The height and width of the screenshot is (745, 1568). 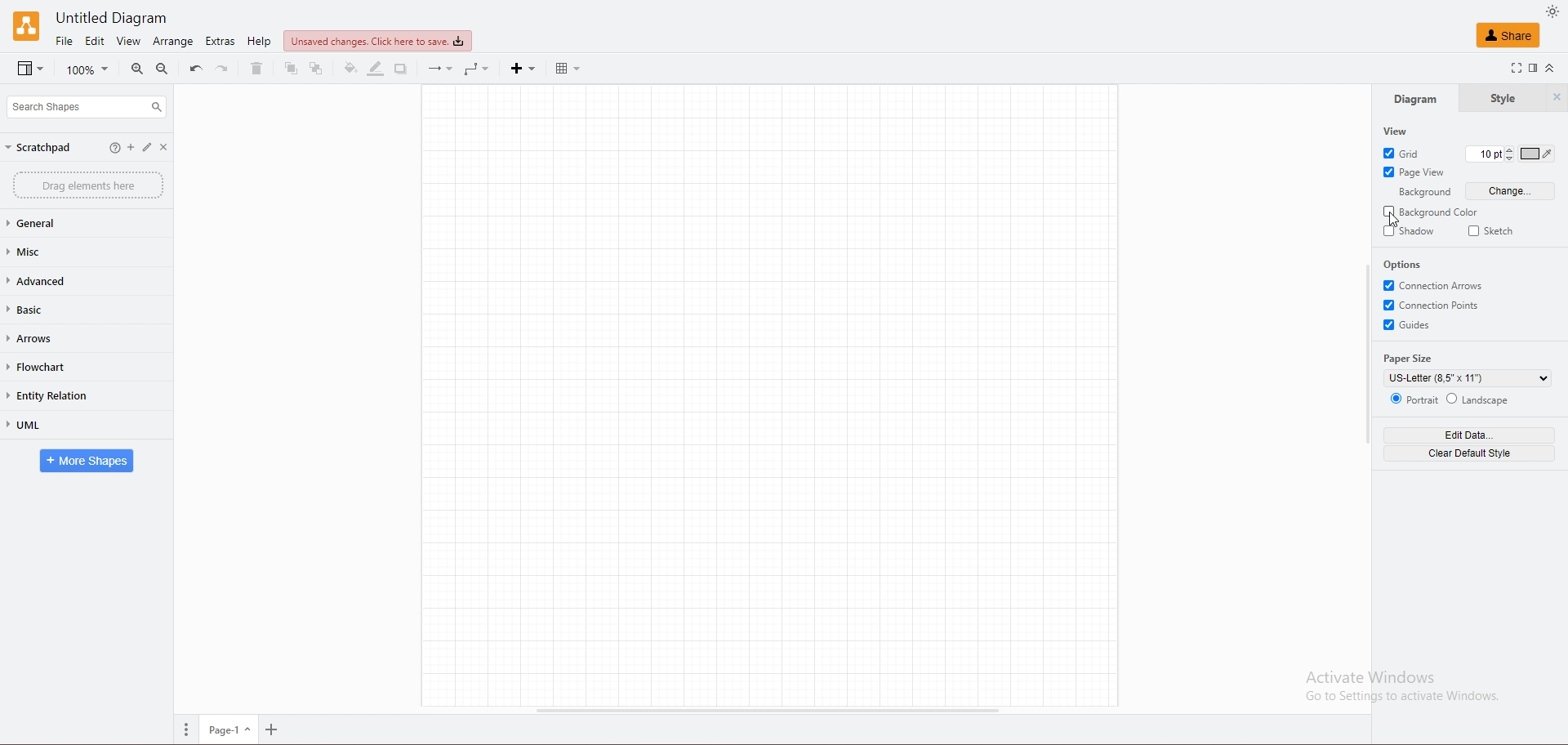 What do you see at coordinates (350, 69) in the screenshot?
I see `fill color` at bounding box center [350, 69].